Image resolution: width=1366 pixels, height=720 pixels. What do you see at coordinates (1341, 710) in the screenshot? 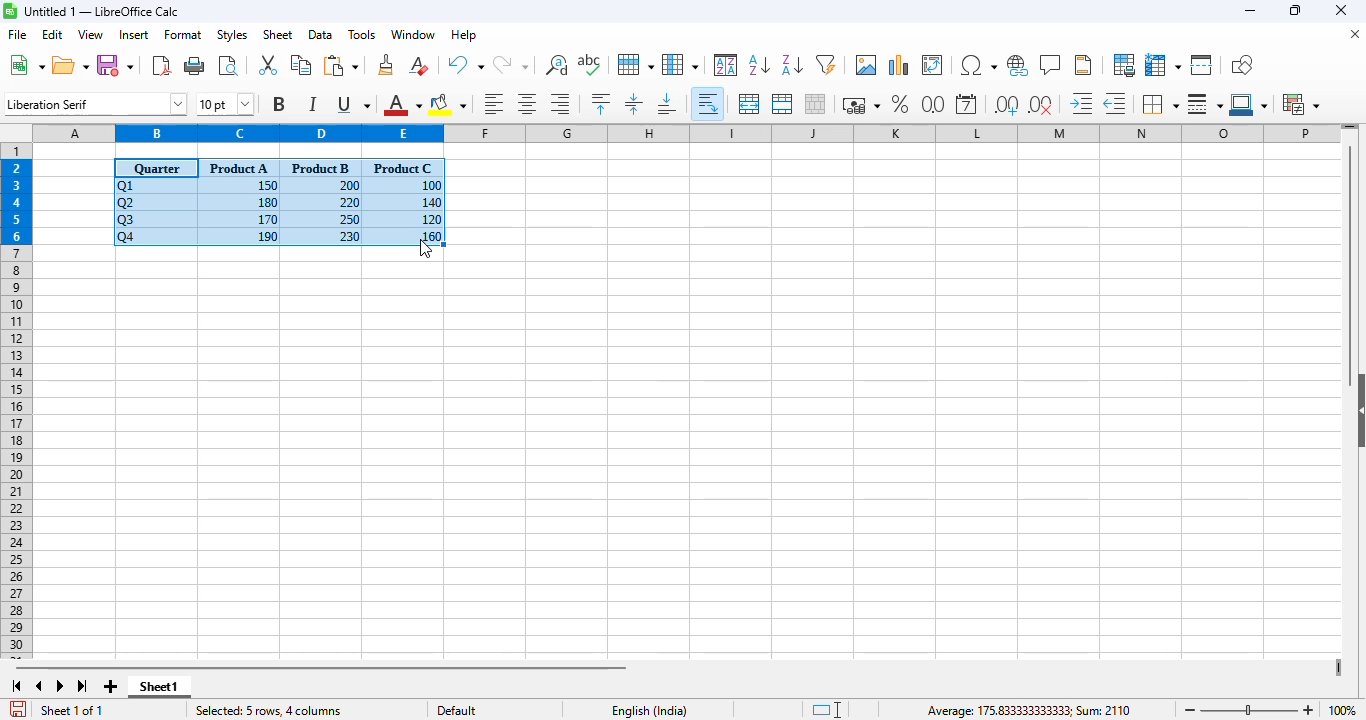
I see `zoom factor` at bounding box center [1341, 710].